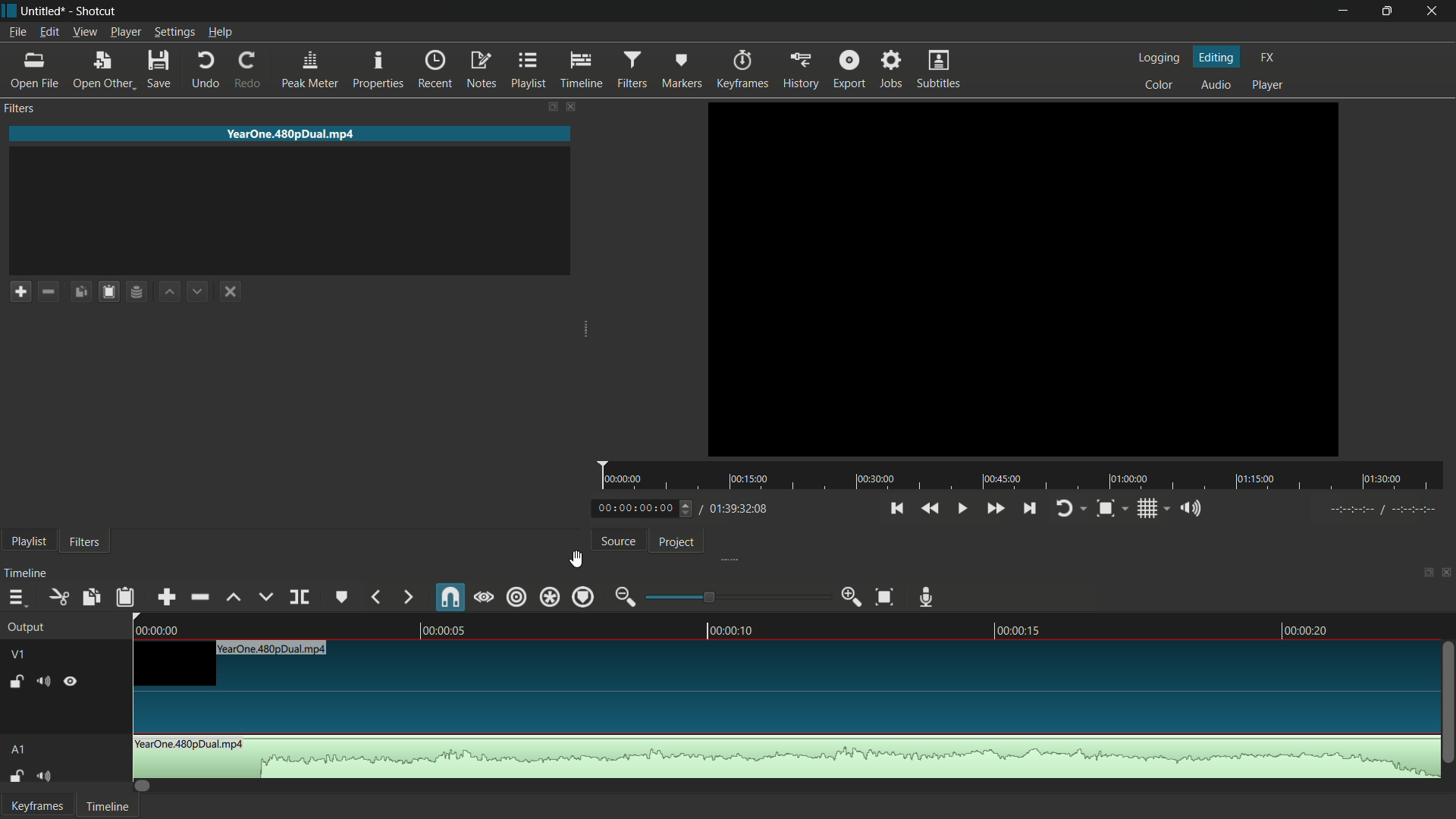  Describe the element at coordinates (174, 32) in the screenshot. I see `settings menu` at that location.